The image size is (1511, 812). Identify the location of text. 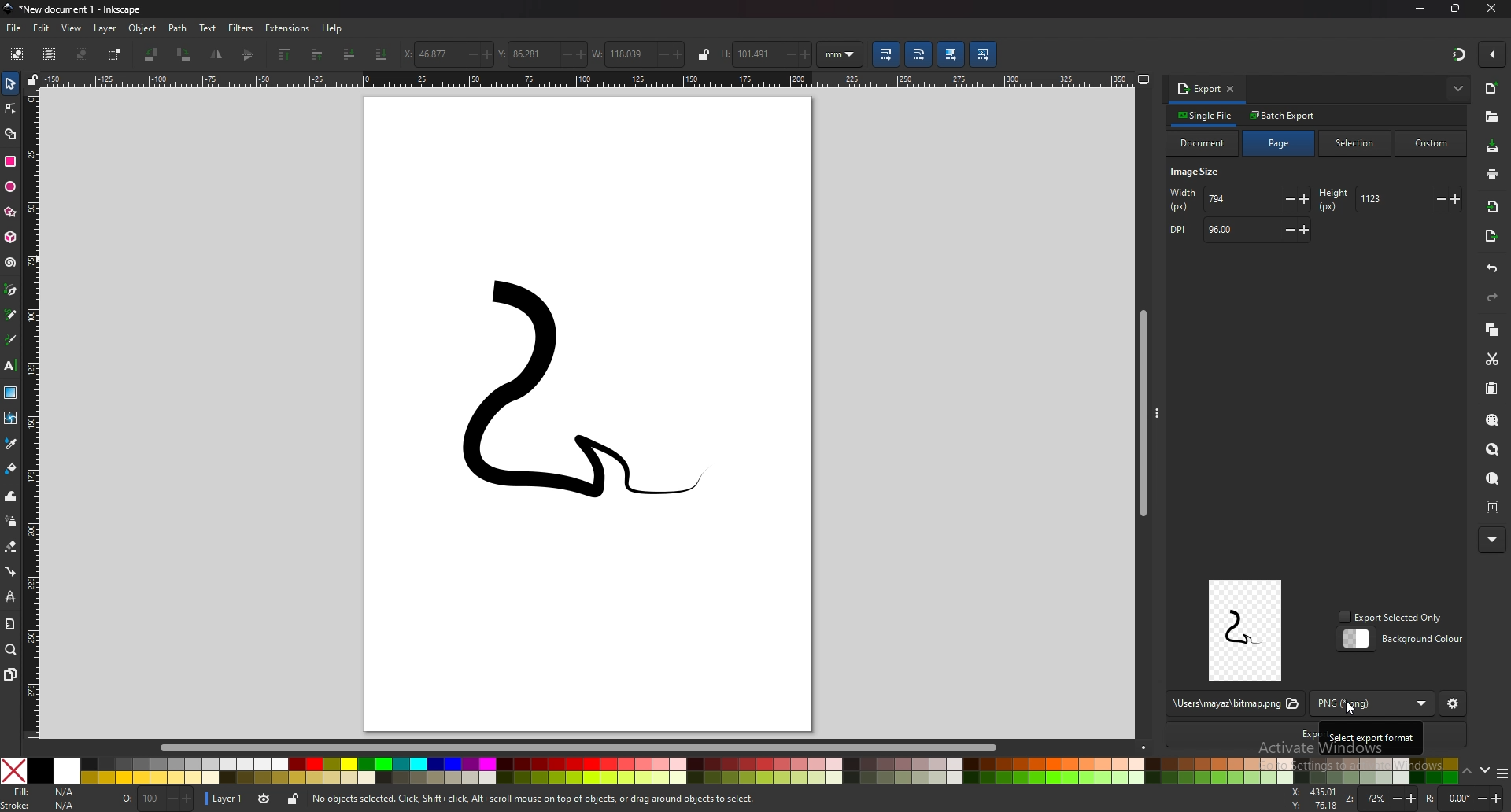
(209, 28).